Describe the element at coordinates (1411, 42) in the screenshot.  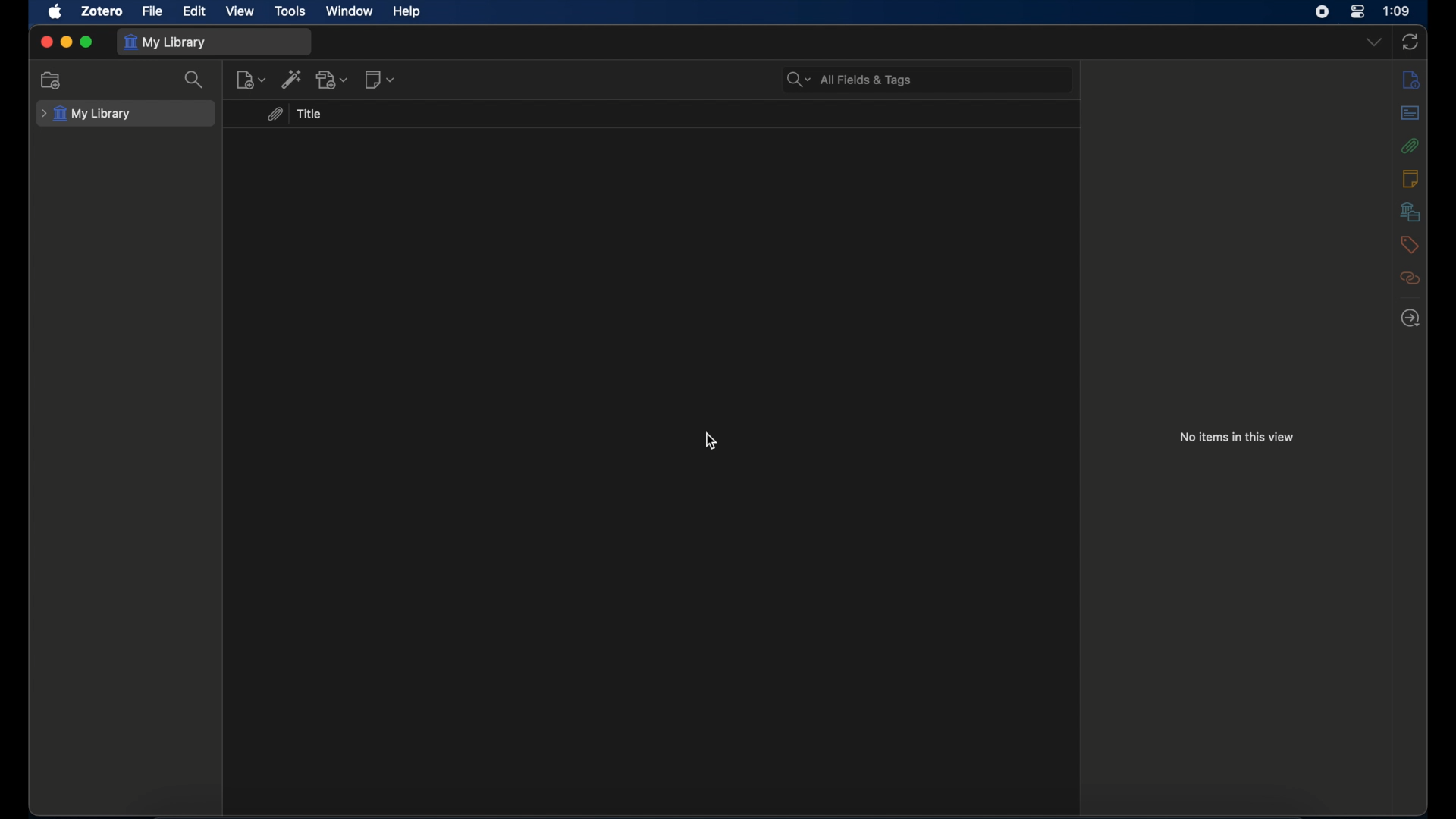
I see `sync` at that location.